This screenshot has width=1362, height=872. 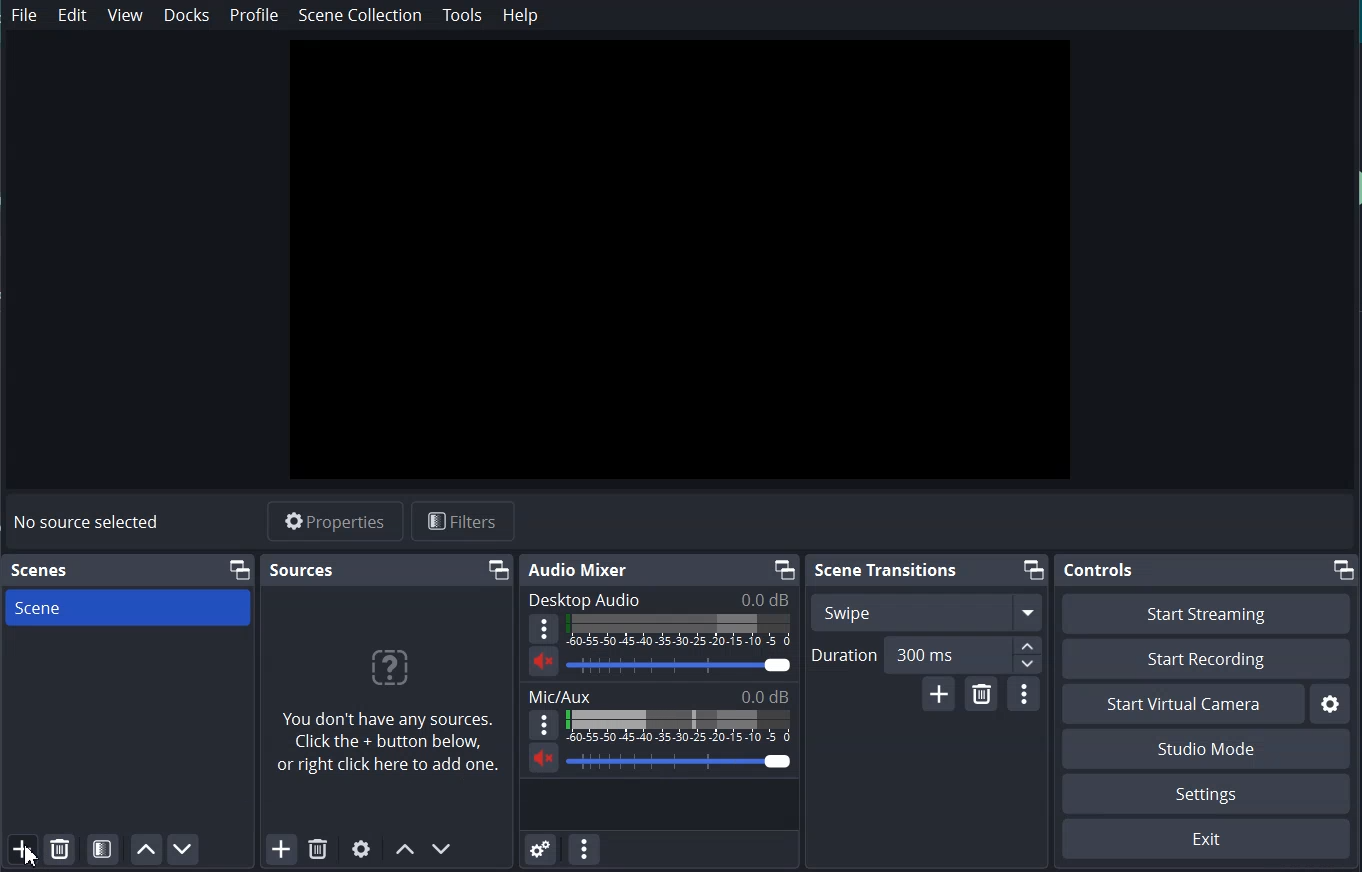 What do you see at coordinates (337, 521) in the screenshot?
I see `Properties` at bounding box center [337, 521].